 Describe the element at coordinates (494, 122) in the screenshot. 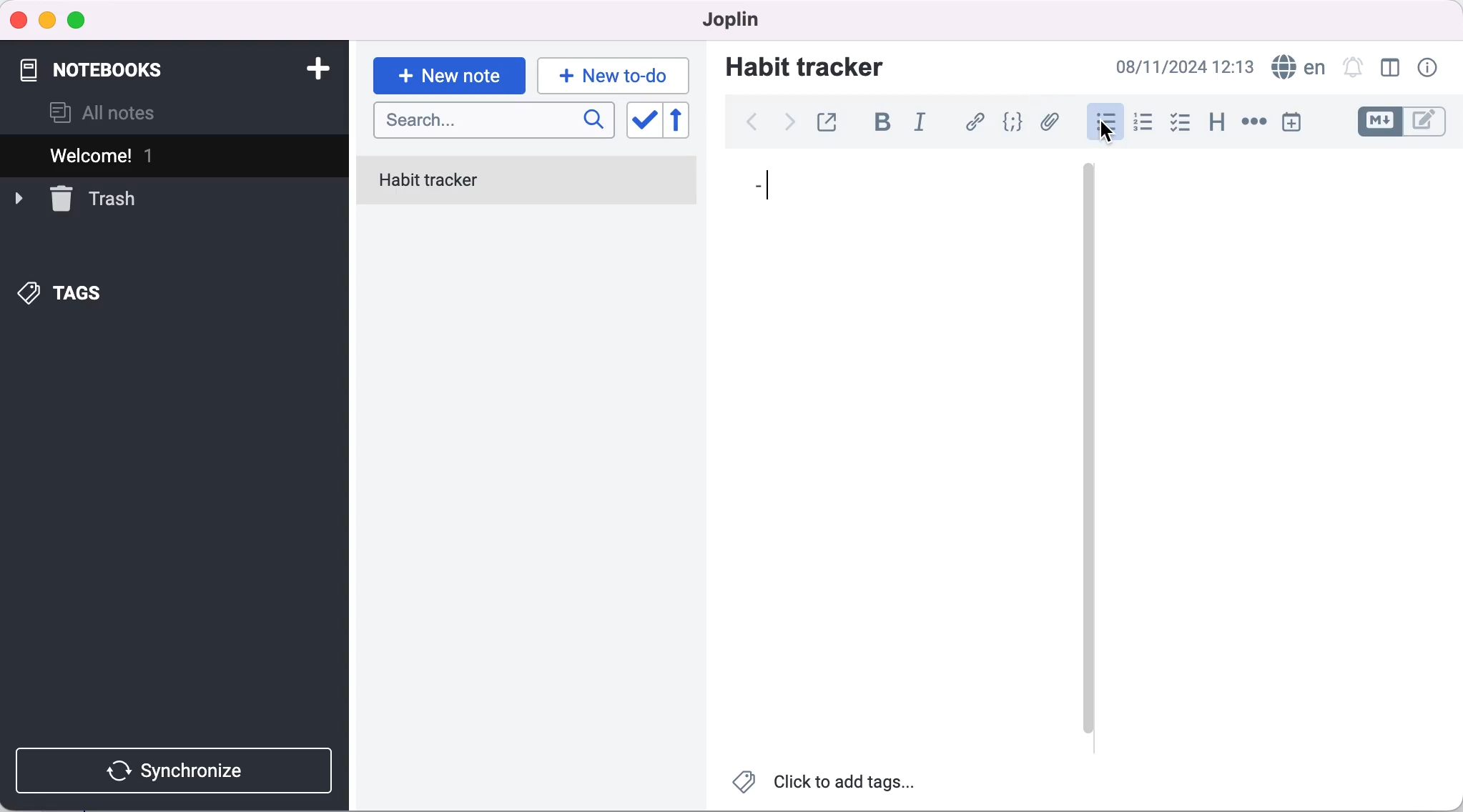

I see `search` at that location.